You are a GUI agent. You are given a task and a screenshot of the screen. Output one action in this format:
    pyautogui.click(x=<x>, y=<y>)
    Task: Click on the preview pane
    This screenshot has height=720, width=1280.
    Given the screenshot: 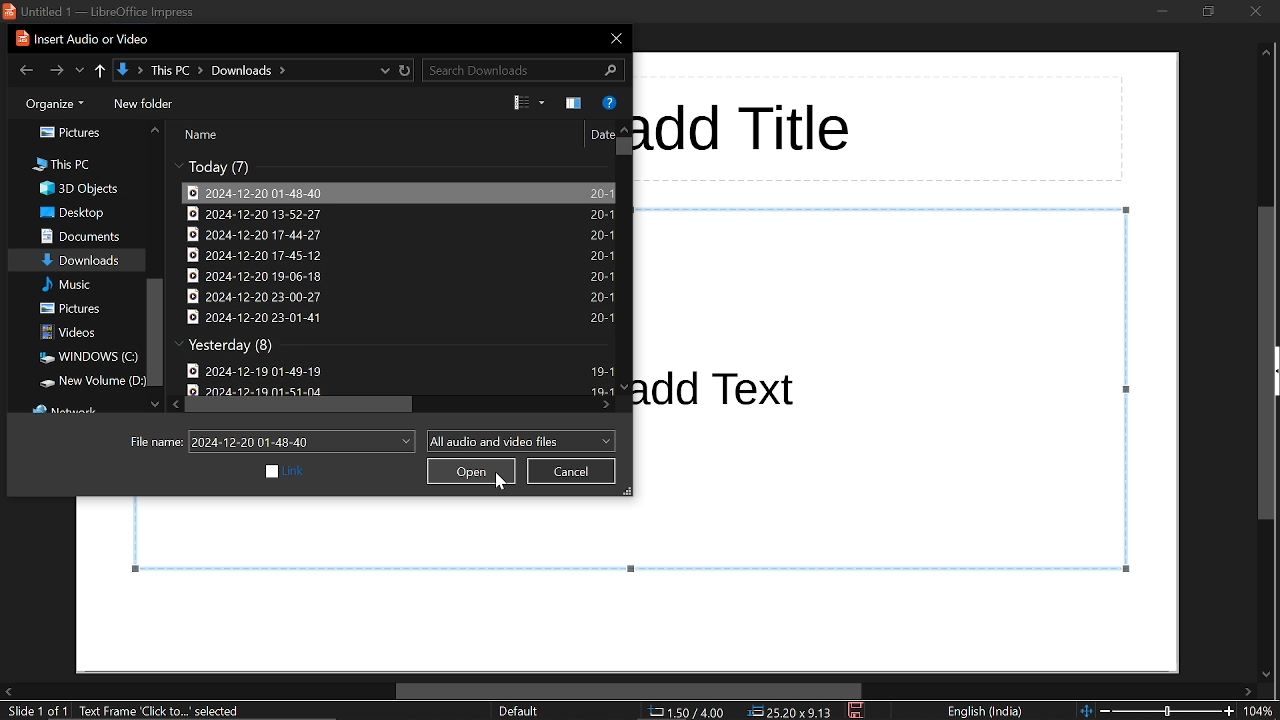 What is the action you would take?
    pyautogui.click(x=572, y=103)
    